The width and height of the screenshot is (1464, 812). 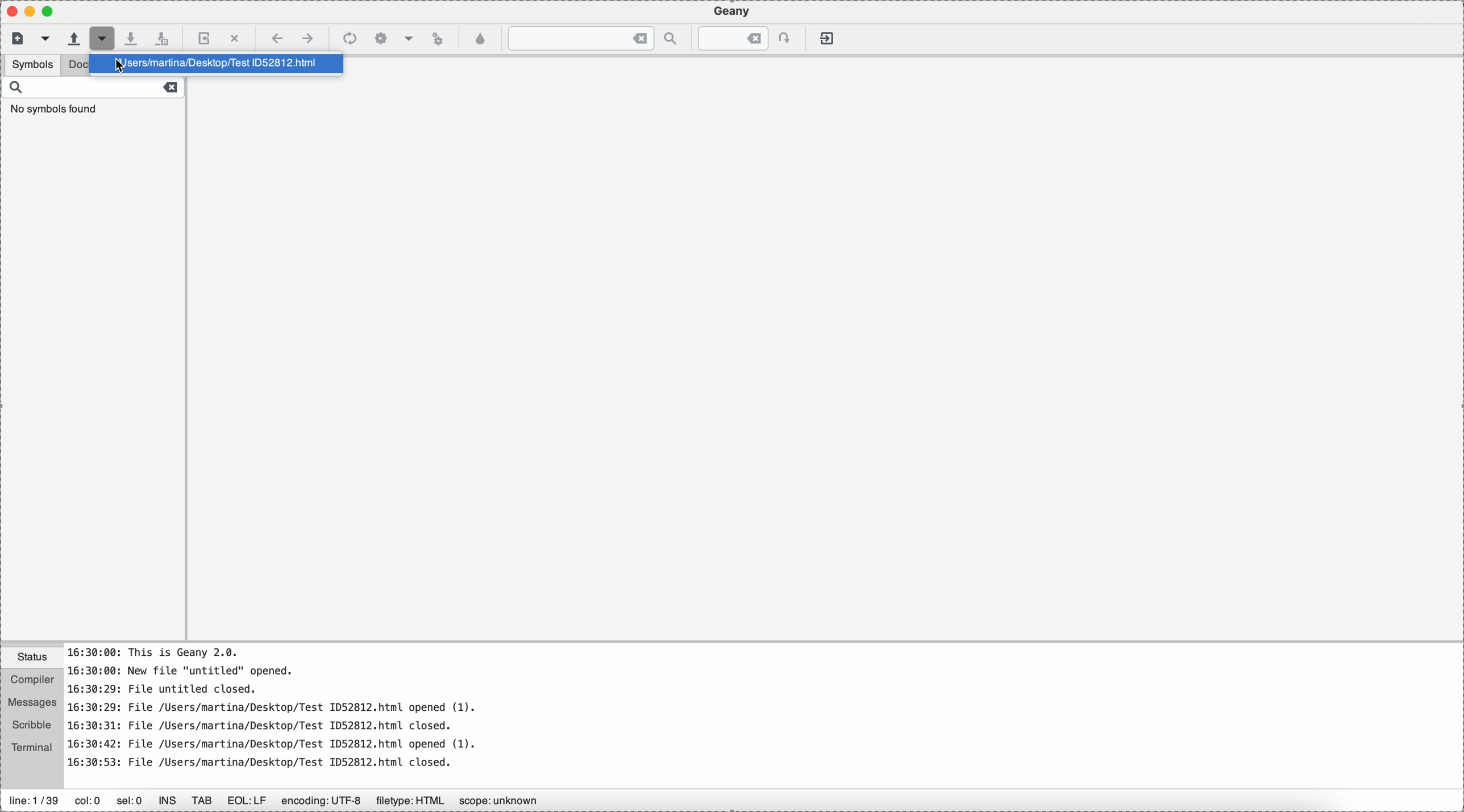 What do you see at coordinates (32, 681) in the screenshot?
I see `compiler` at bounding box center [32, 681].